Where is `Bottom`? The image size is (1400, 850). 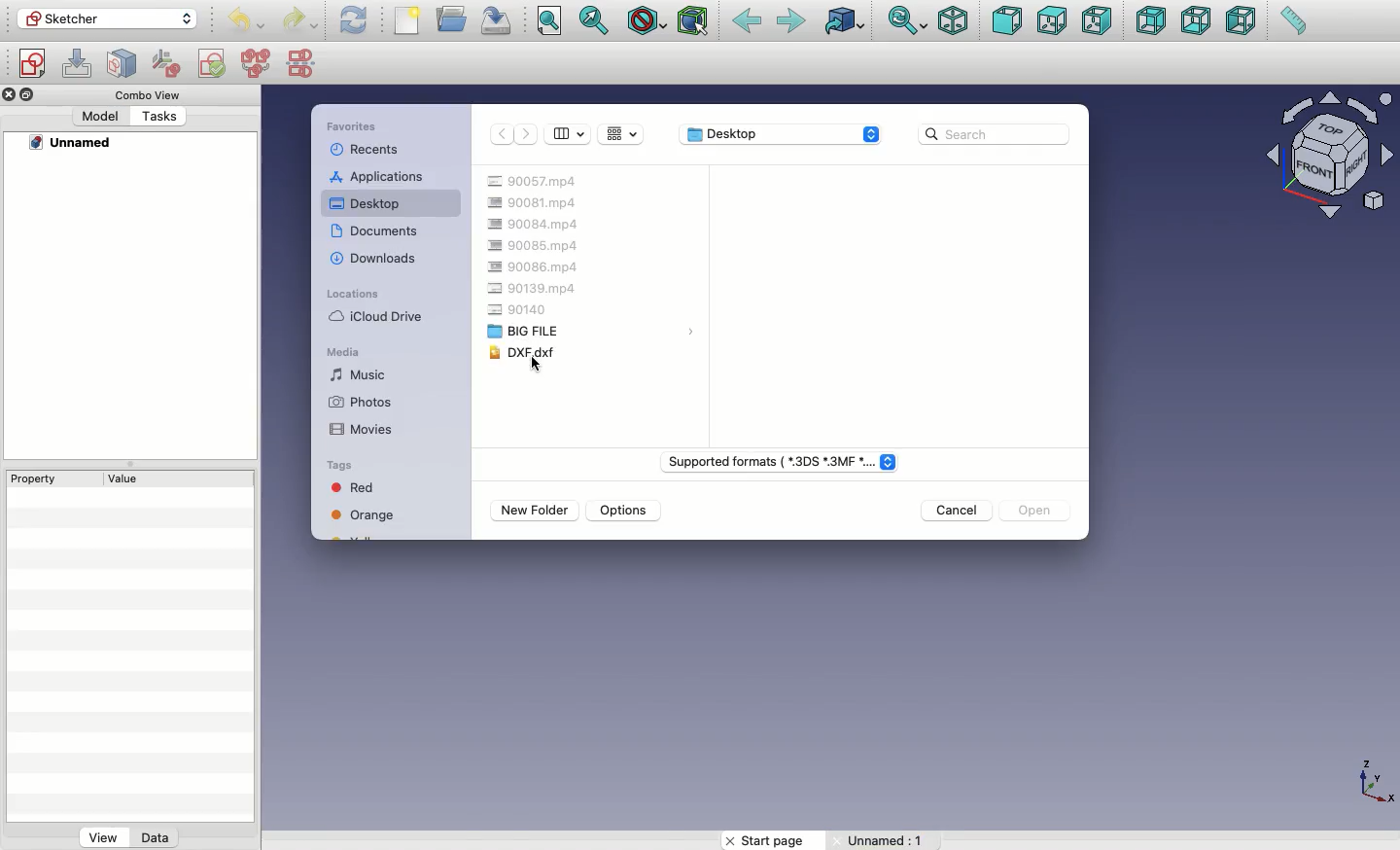
Bottom is located at coordinates (1196, 22).